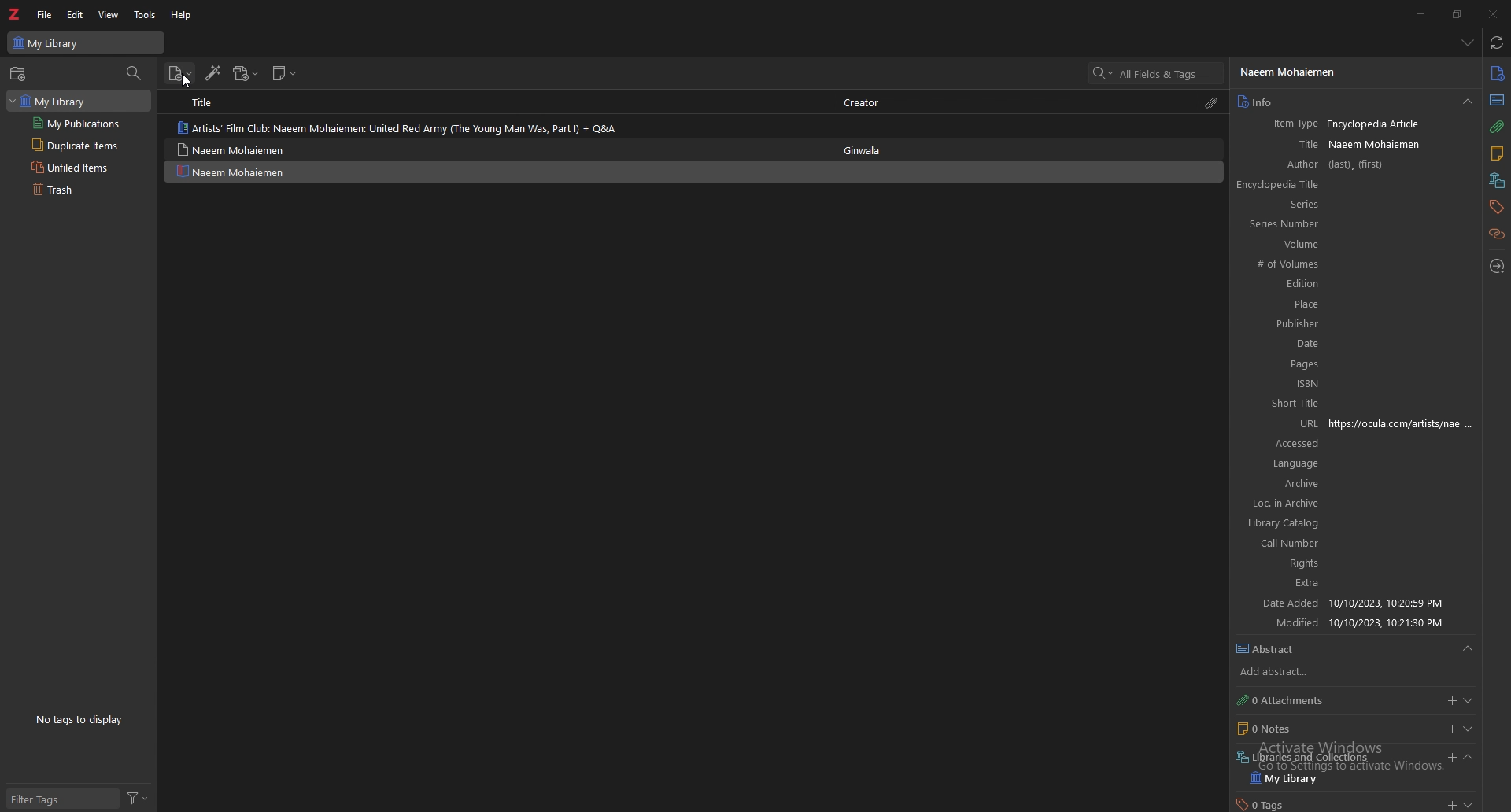 Image resolution: width=1511 pixels, height=812 pixels. Describe the element at coordinates (1498, 72) in the screenshot. I see `info` at that location.